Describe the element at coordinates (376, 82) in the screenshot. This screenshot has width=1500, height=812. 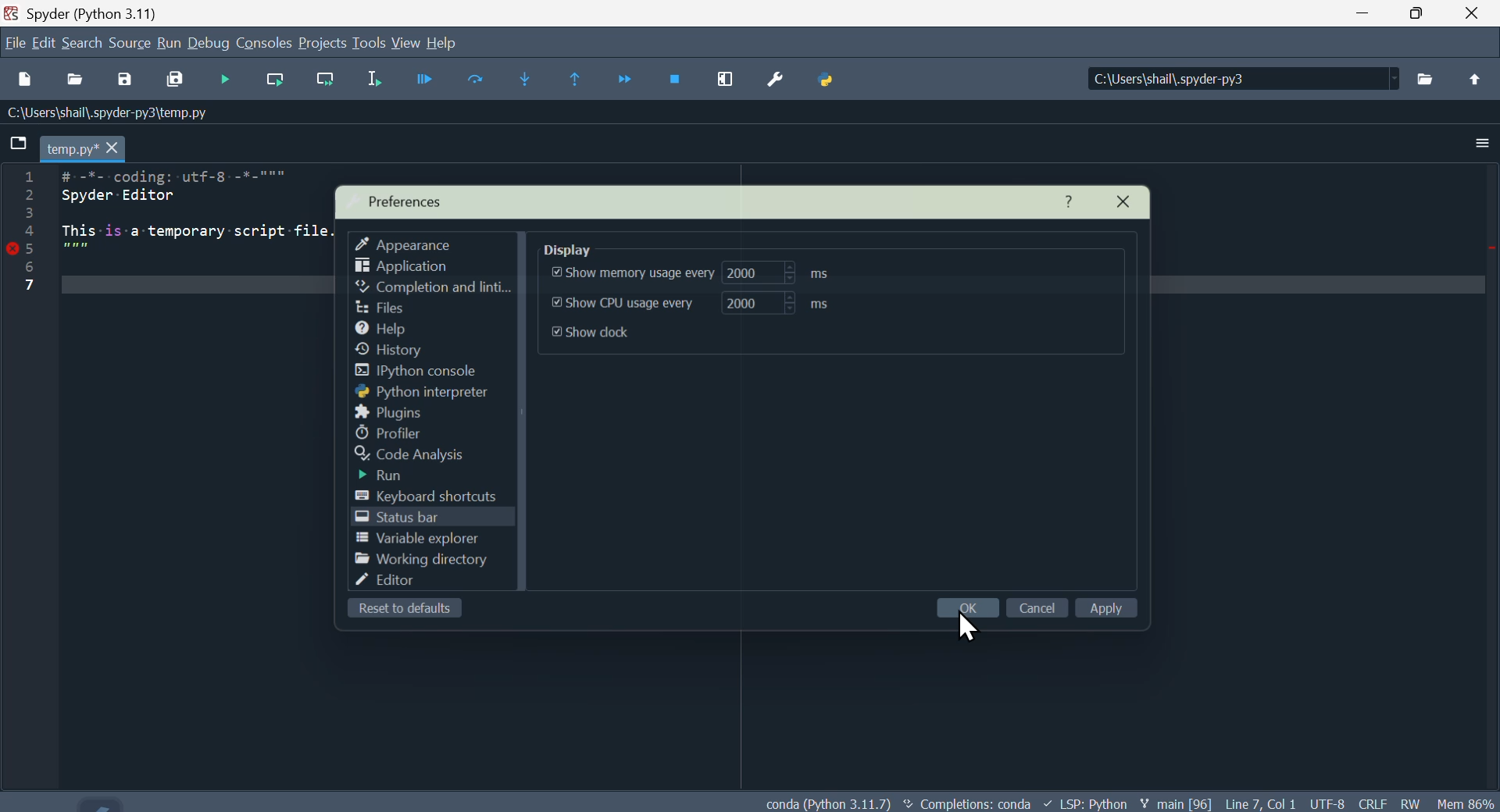
I see `Run selection` at that location.